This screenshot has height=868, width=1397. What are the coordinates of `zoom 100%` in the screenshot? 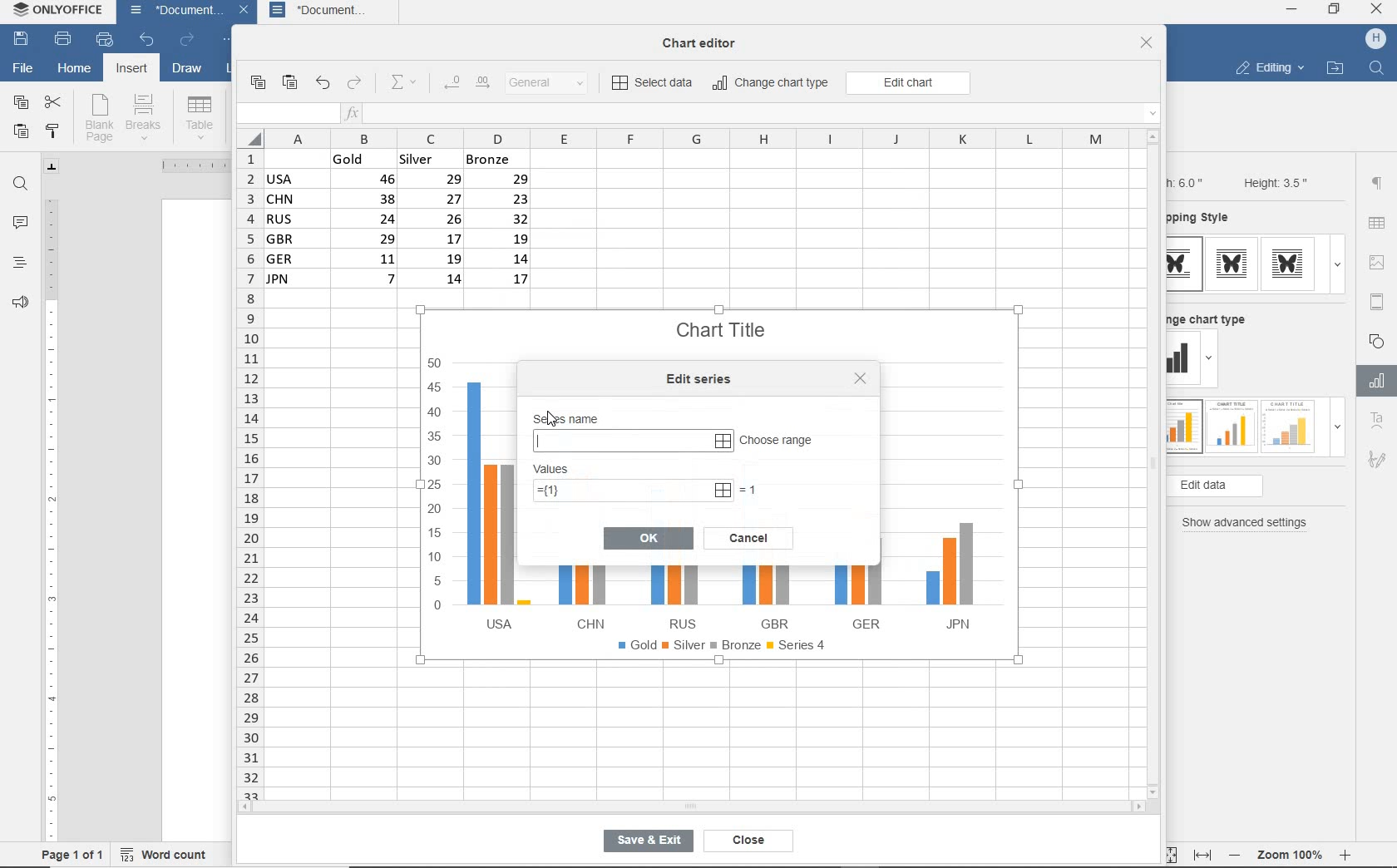 It's located at (1293, 852).